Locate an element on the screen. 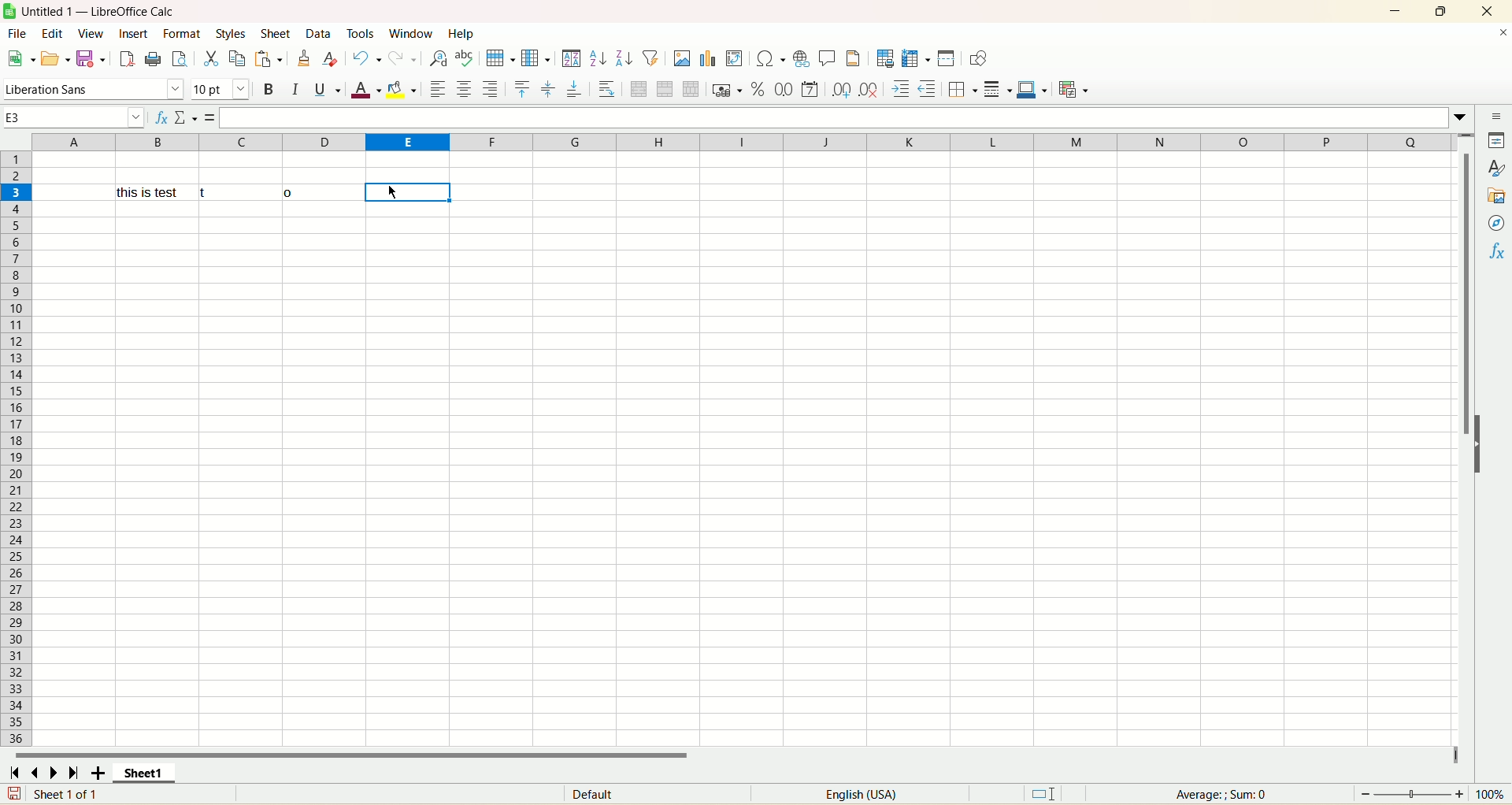  border color is located at coordinates (1031, 89).